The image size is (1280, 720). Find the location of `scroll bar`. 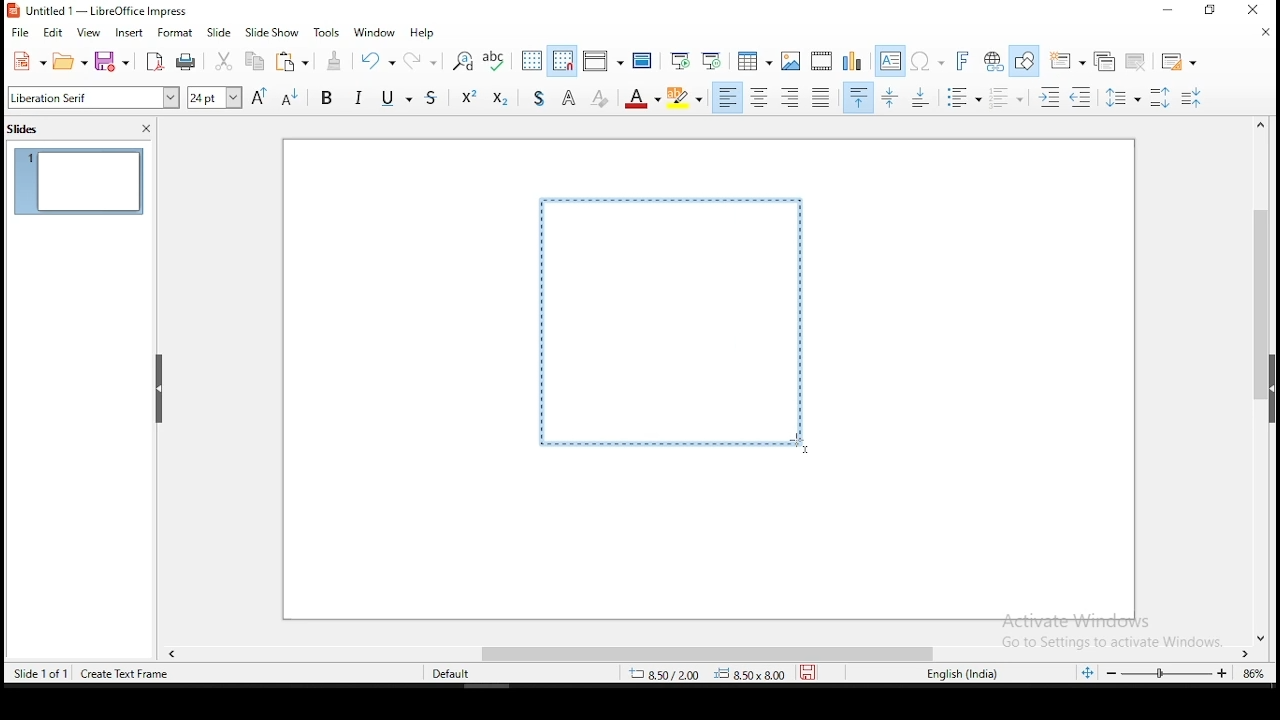

scroll bar is located at coordinates (1261, 381).